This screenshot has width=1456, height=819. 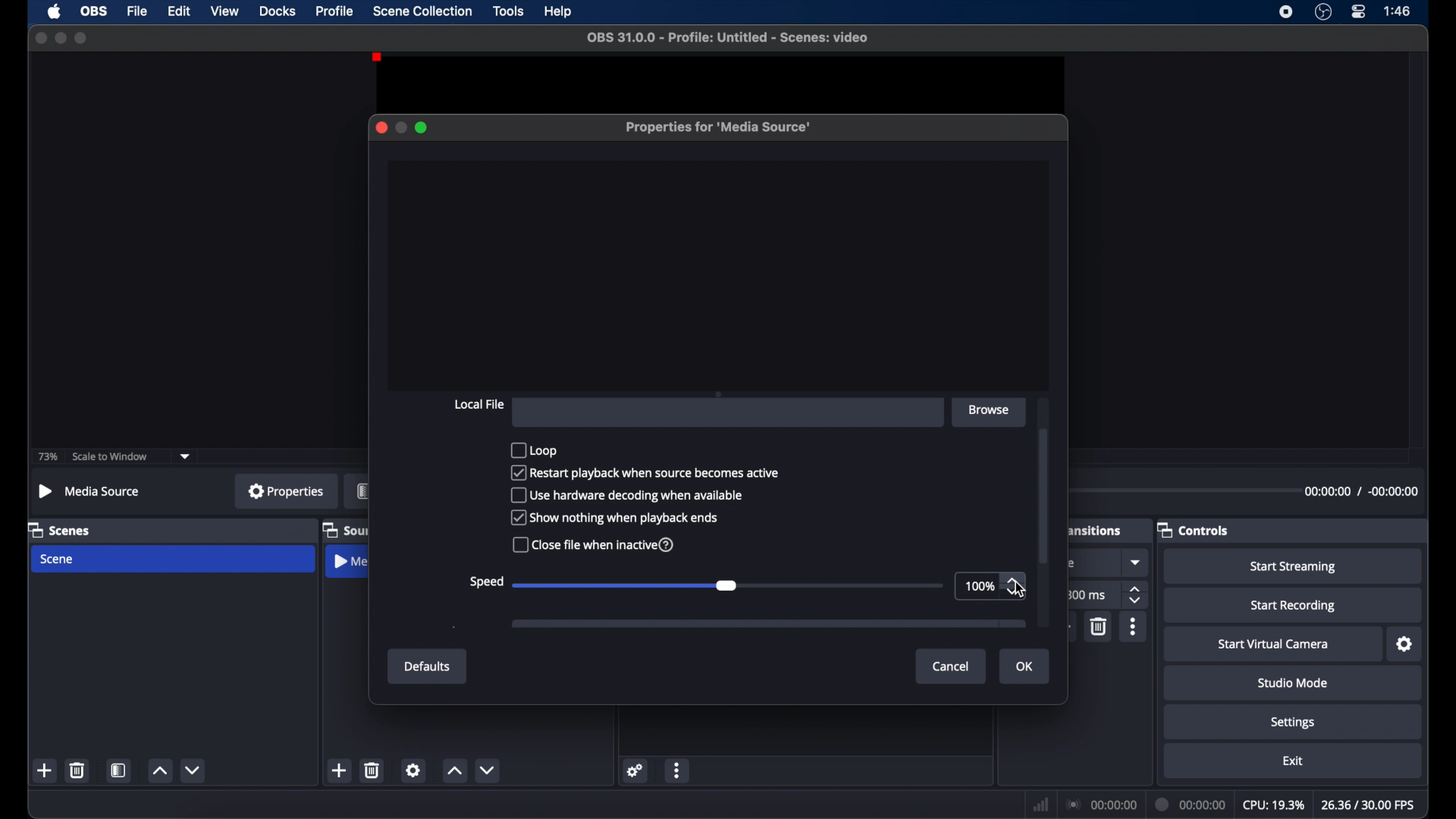 What do you see at coordinates (362, 491) in the screenshot?
I see `obscure label` at bounding box center [362, 491].